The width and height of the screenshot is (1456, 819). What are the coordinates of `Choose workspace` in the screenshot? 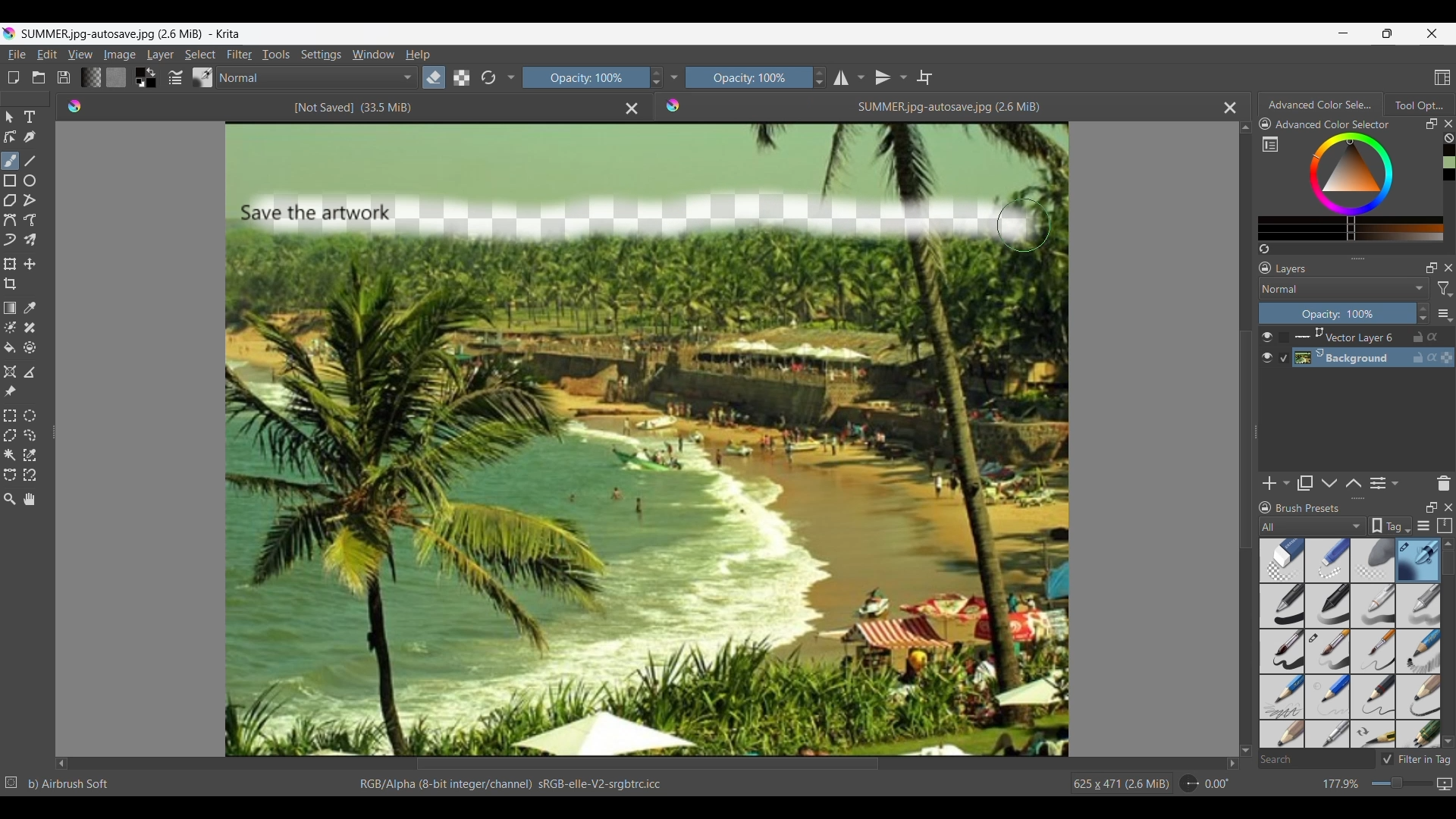 It's located at (1442, 77).